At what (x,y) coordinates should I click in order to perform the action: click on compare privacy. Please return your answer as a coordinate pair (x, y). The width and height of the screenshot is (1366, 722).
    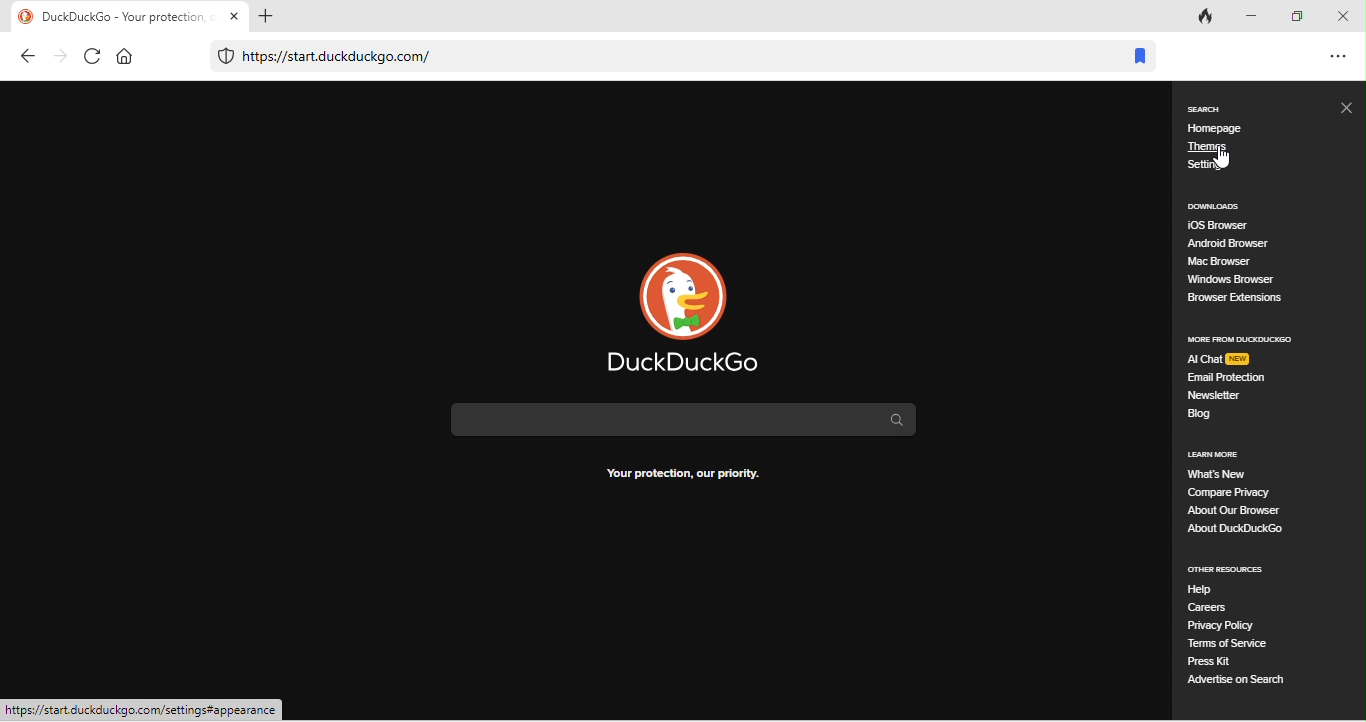
    Looking at the image, I should click on (1225, 493).